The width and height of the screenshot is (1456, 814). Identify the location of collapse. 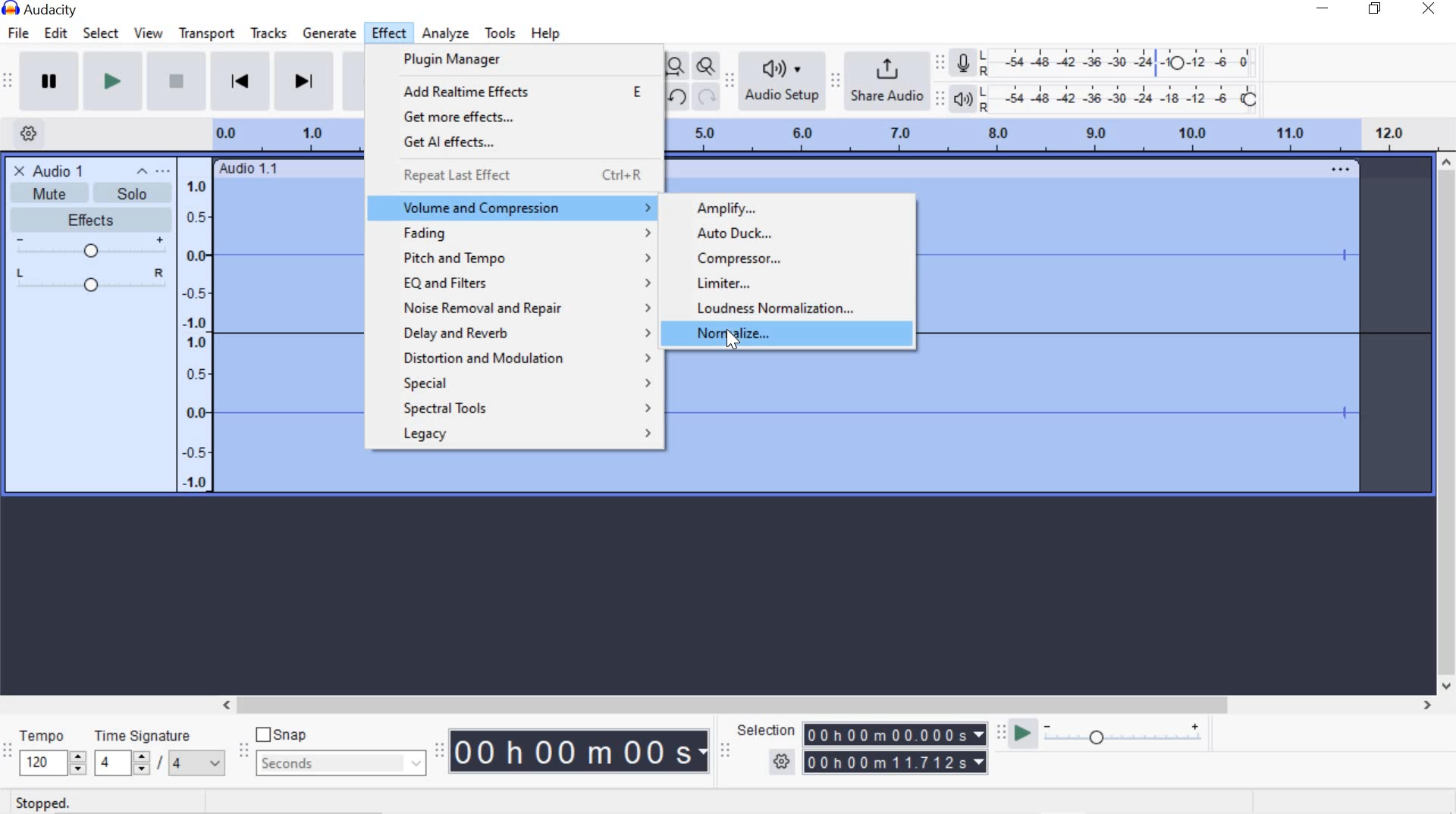
(143, 172).